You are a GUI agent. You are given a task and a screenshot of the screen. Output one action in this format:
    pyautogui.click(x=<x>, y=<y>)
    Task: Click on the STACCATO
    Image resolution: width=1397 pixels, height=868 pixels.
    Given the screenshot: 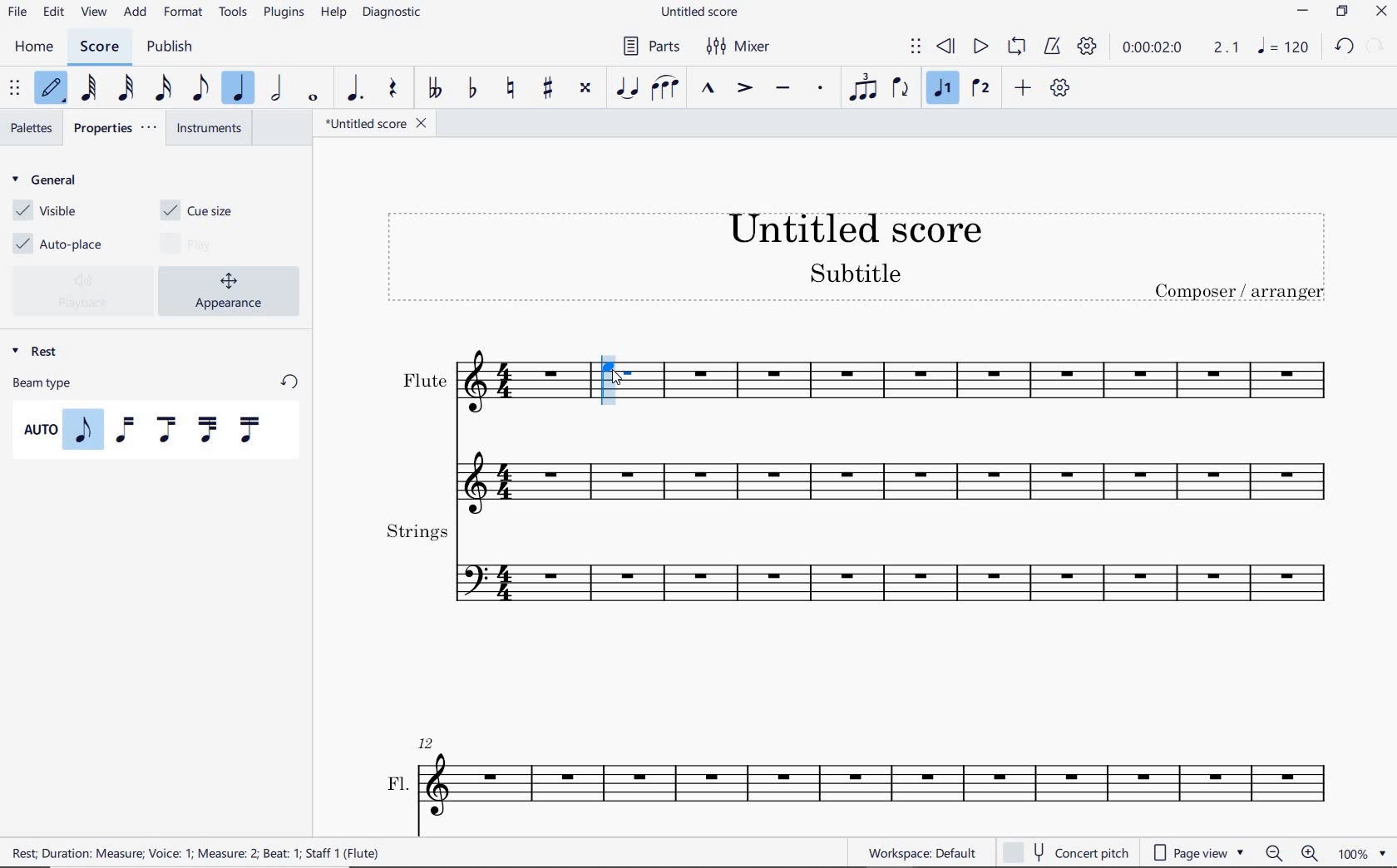 What is the action you would take?
    pyautogui.click(x=822, y=89)
    